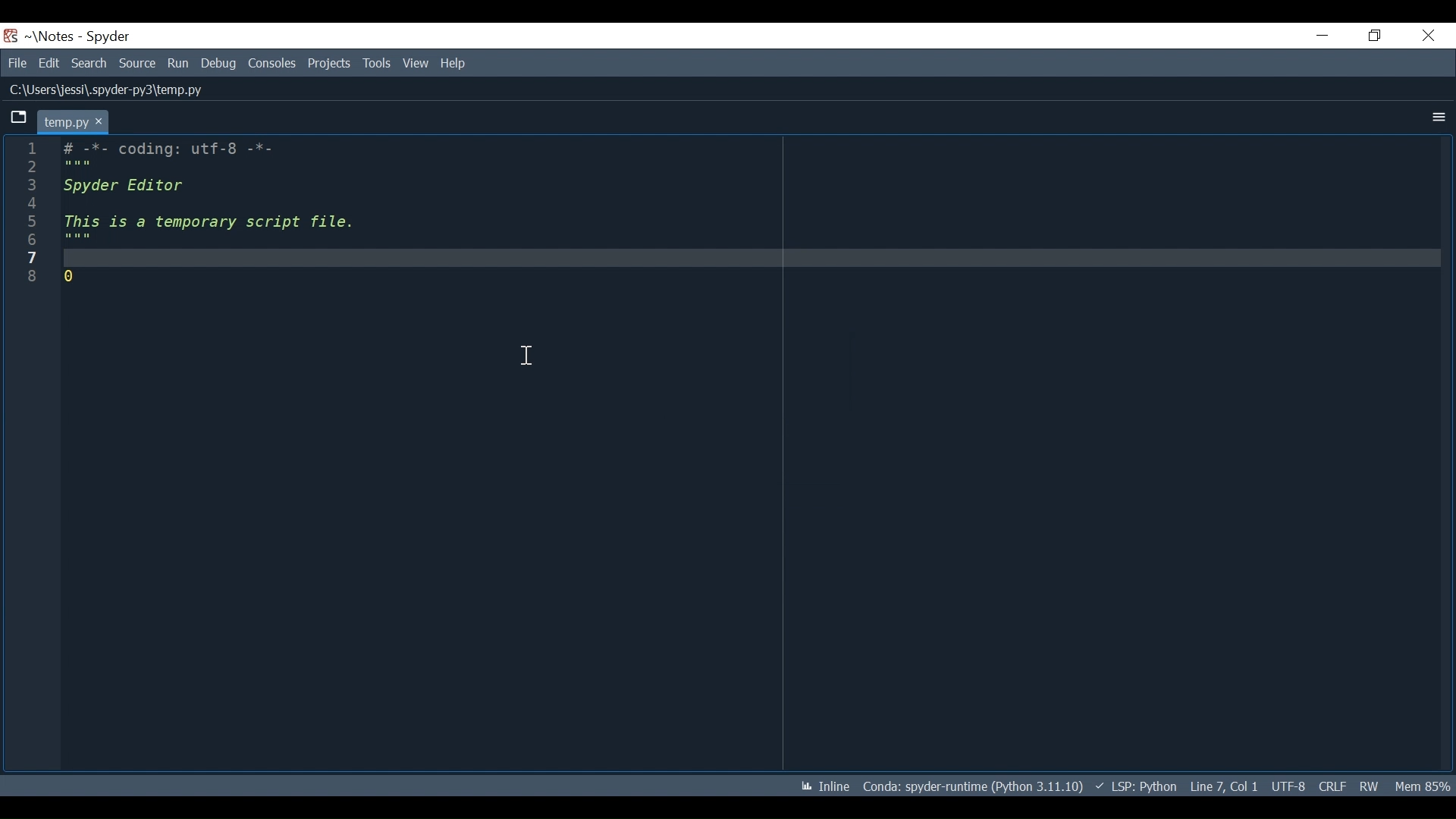 The width and height of the screenshot is (1456, 819). Describe the element at coordinates (19, 118) in the screenshot. I see `Browse Tab` at that location.